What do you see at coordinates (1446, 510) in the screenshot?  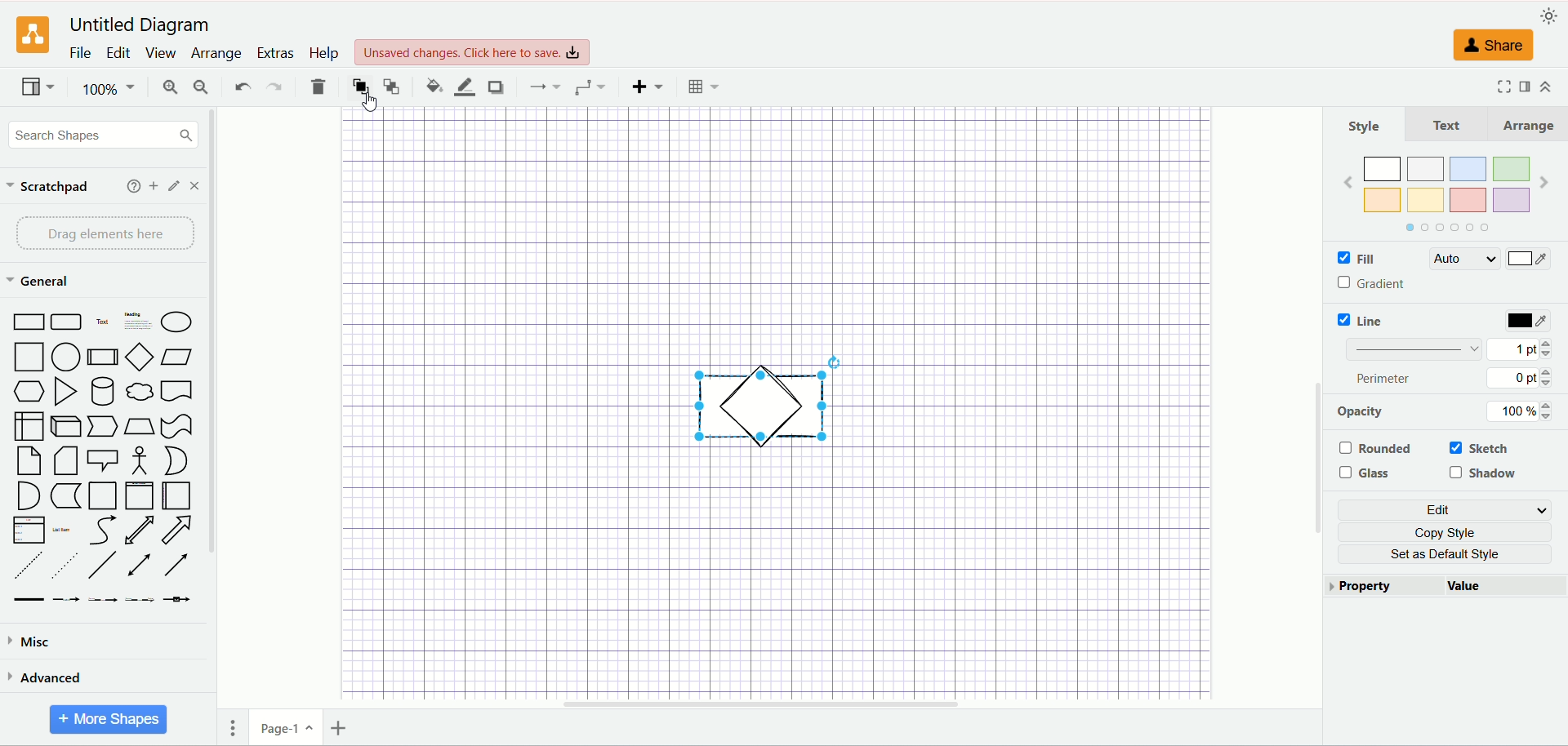 I see `edit` at bounding box center [1446, 510].